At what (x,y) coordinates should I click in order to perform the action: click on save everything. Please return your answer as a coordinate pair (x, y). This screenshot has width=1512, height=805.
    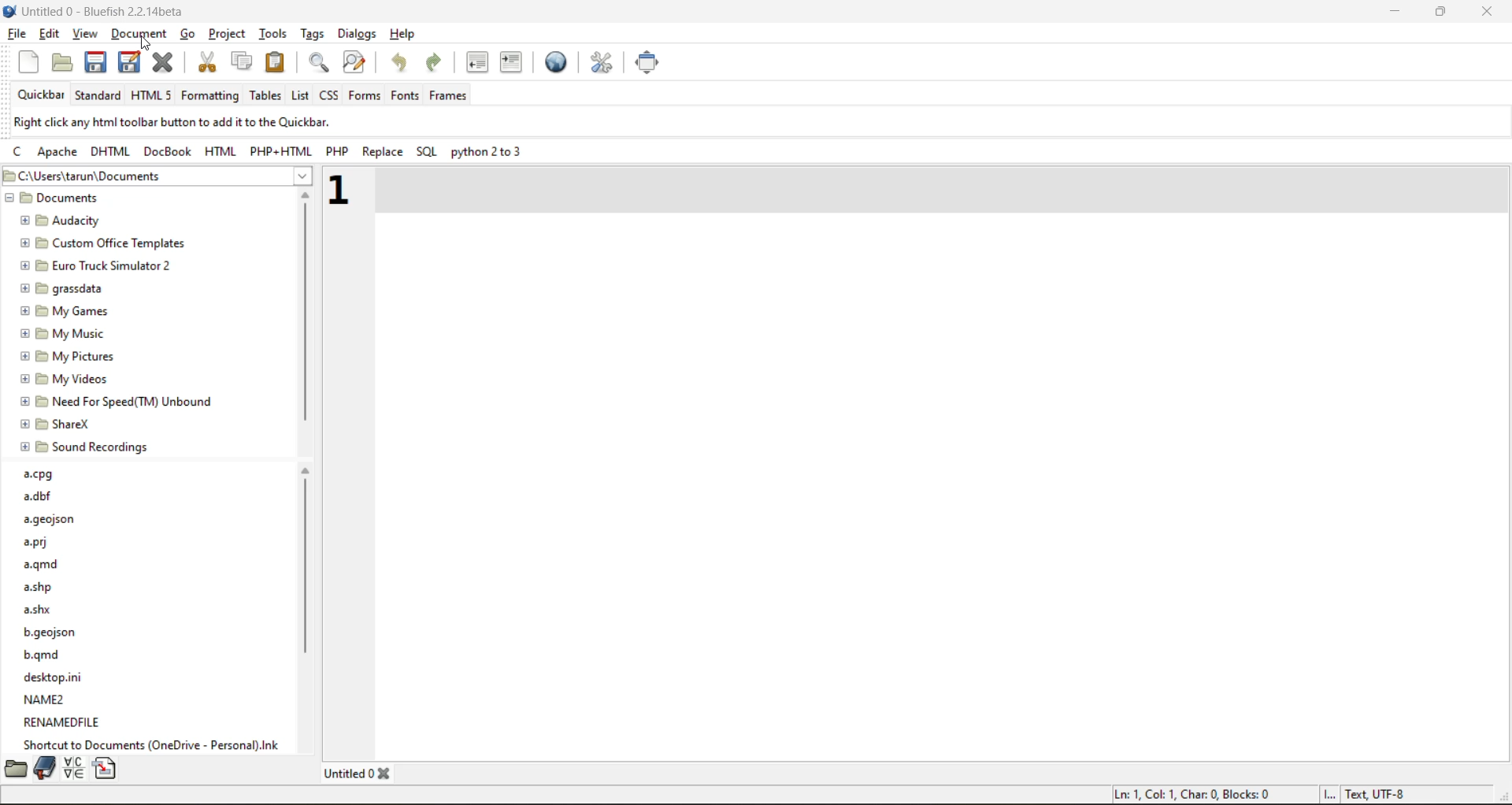
    Looking at the image, I should click on (131, 61).